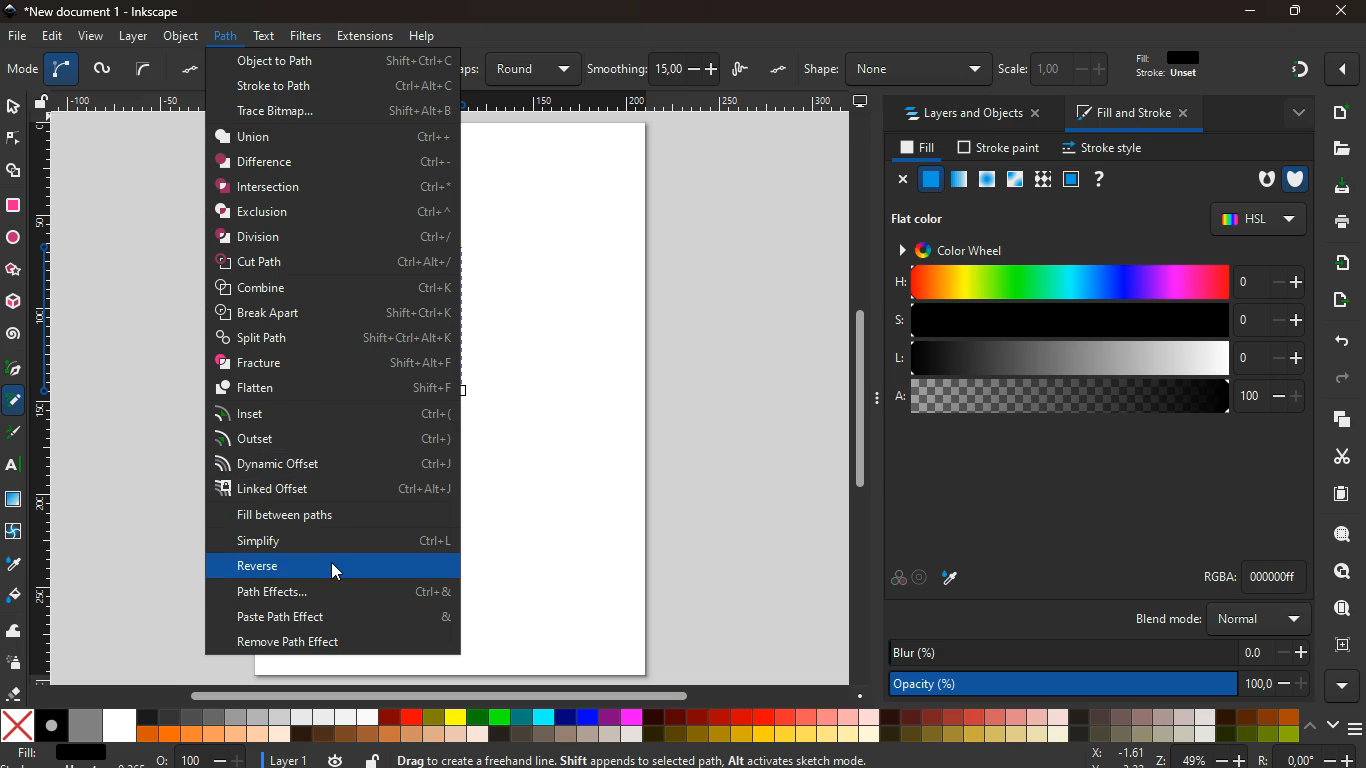 The height and width of the screenshot is (768, 1366). Describe the element at coordinates (932, 179) in the screenshot. I see `normal` at that location.